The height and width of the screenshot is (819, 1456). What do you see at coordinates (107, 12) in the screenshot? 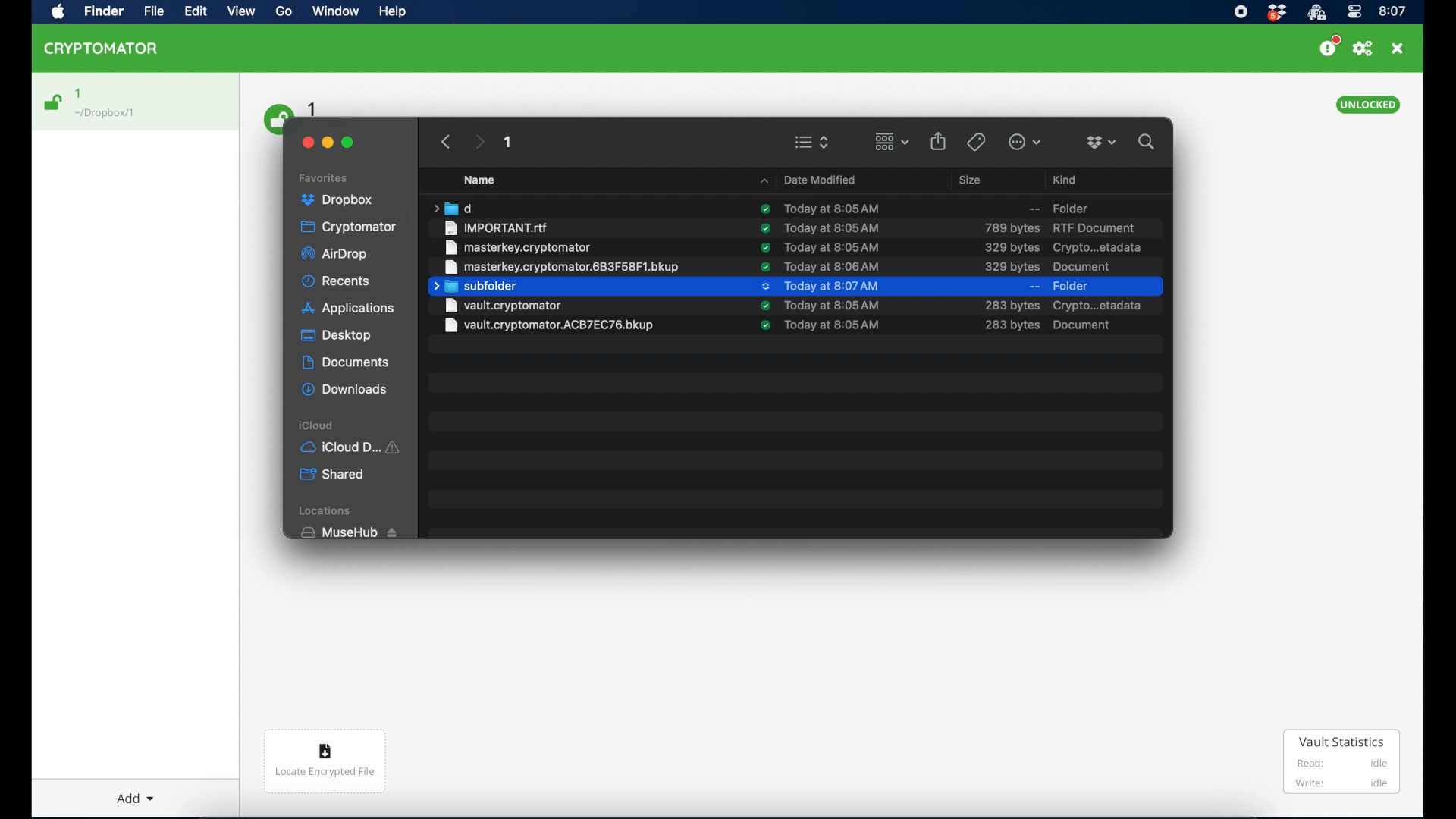
I see `Find` at bounding box center [107, 12].